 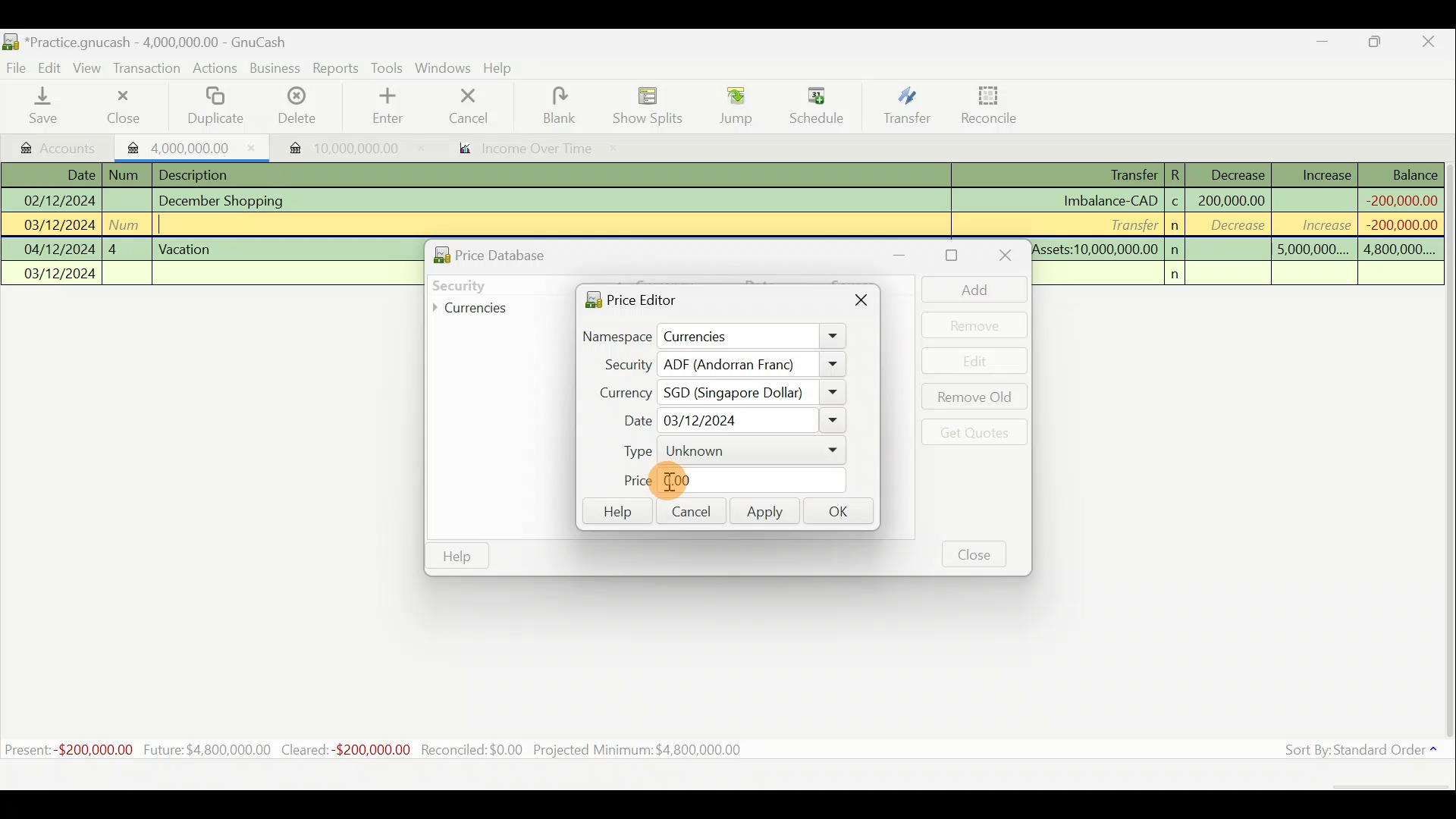 I want to click on Business, so click(x=276, y=68).